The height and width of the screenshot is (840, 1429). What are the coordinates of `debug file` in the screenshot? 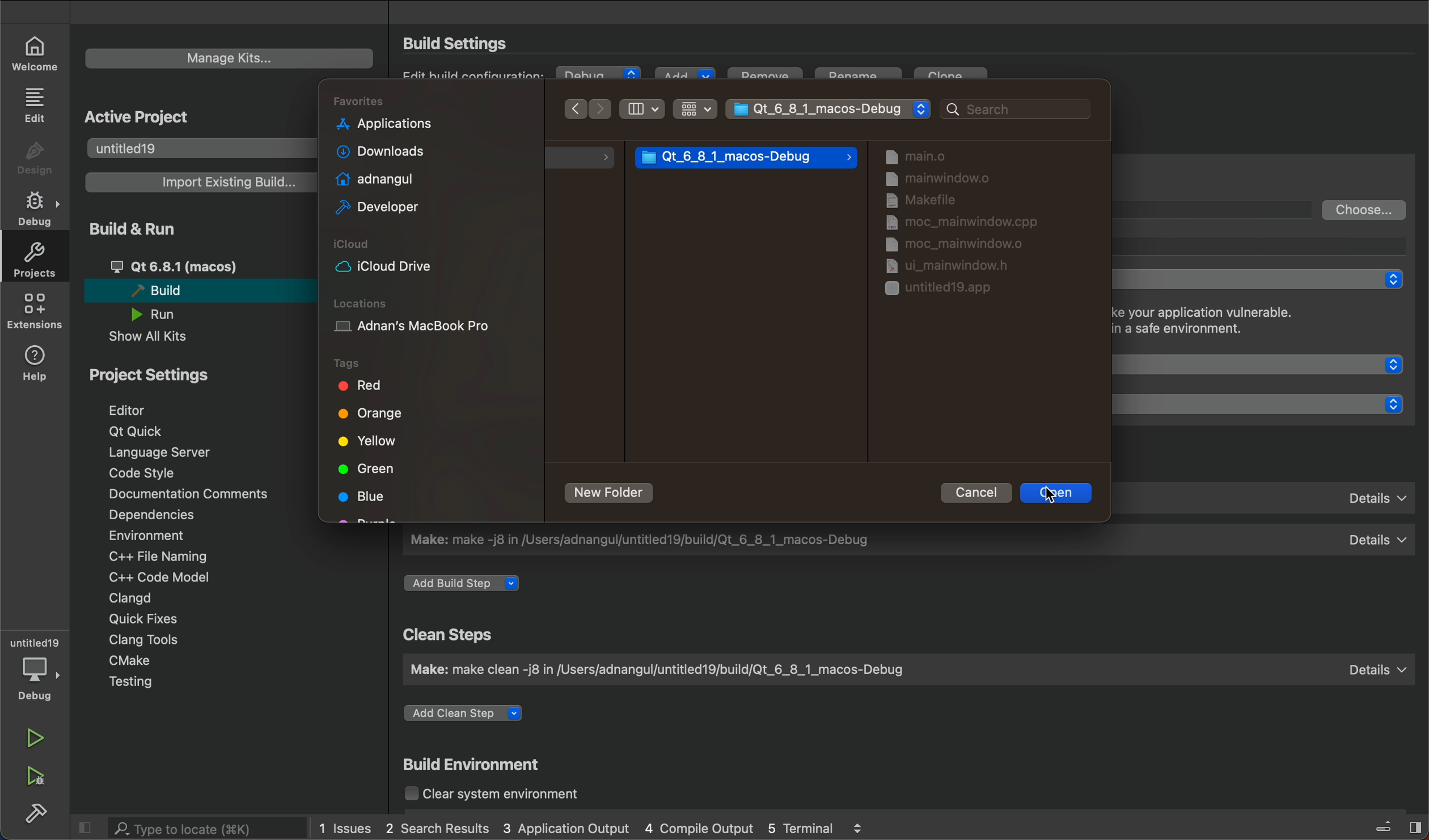 It's located at (746, 158).